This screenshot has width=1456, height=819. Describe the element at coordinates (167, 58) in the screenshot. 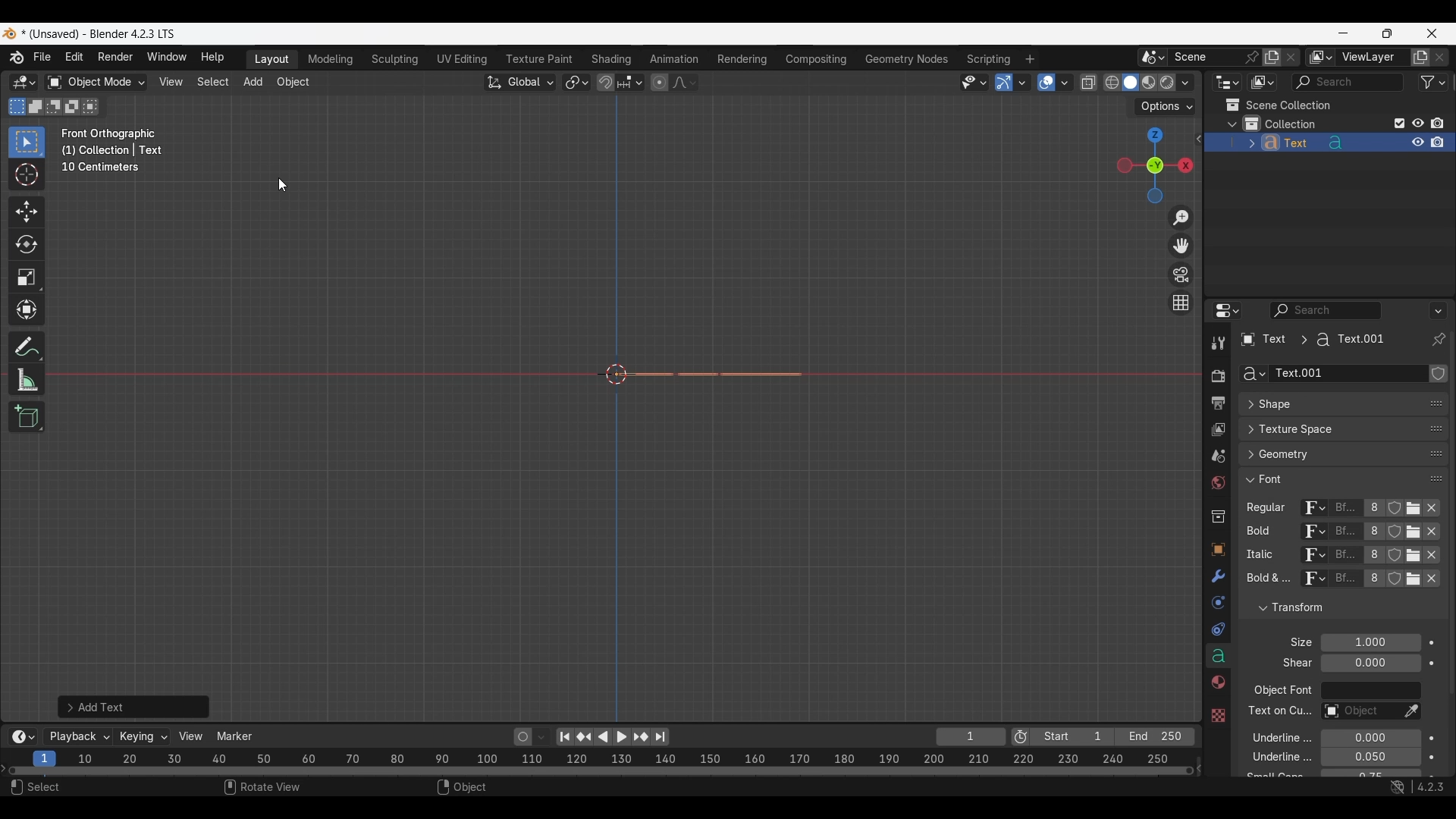

I see `Window menu` at that location.